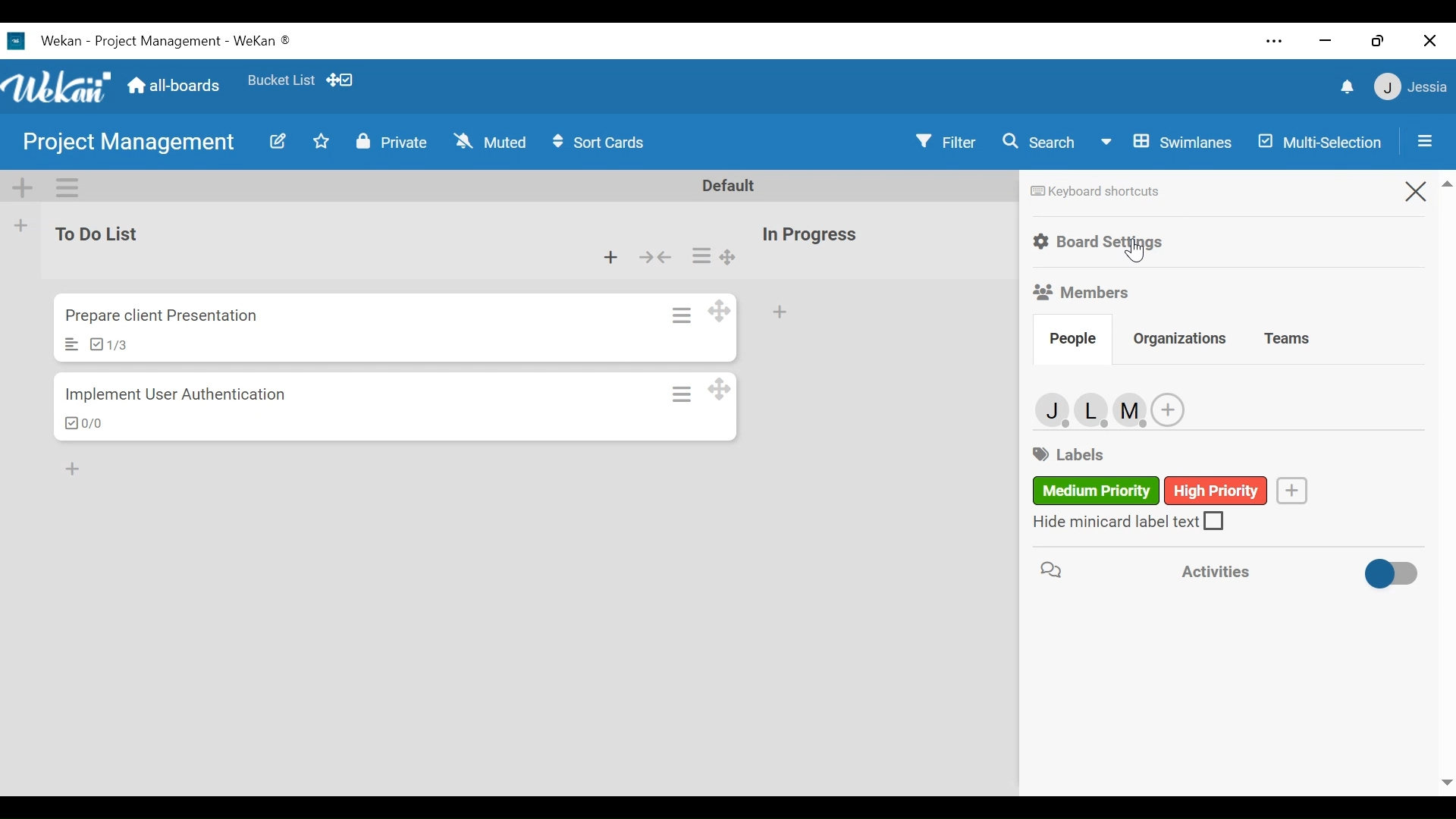  I want to click on Default, so click(730, 187).